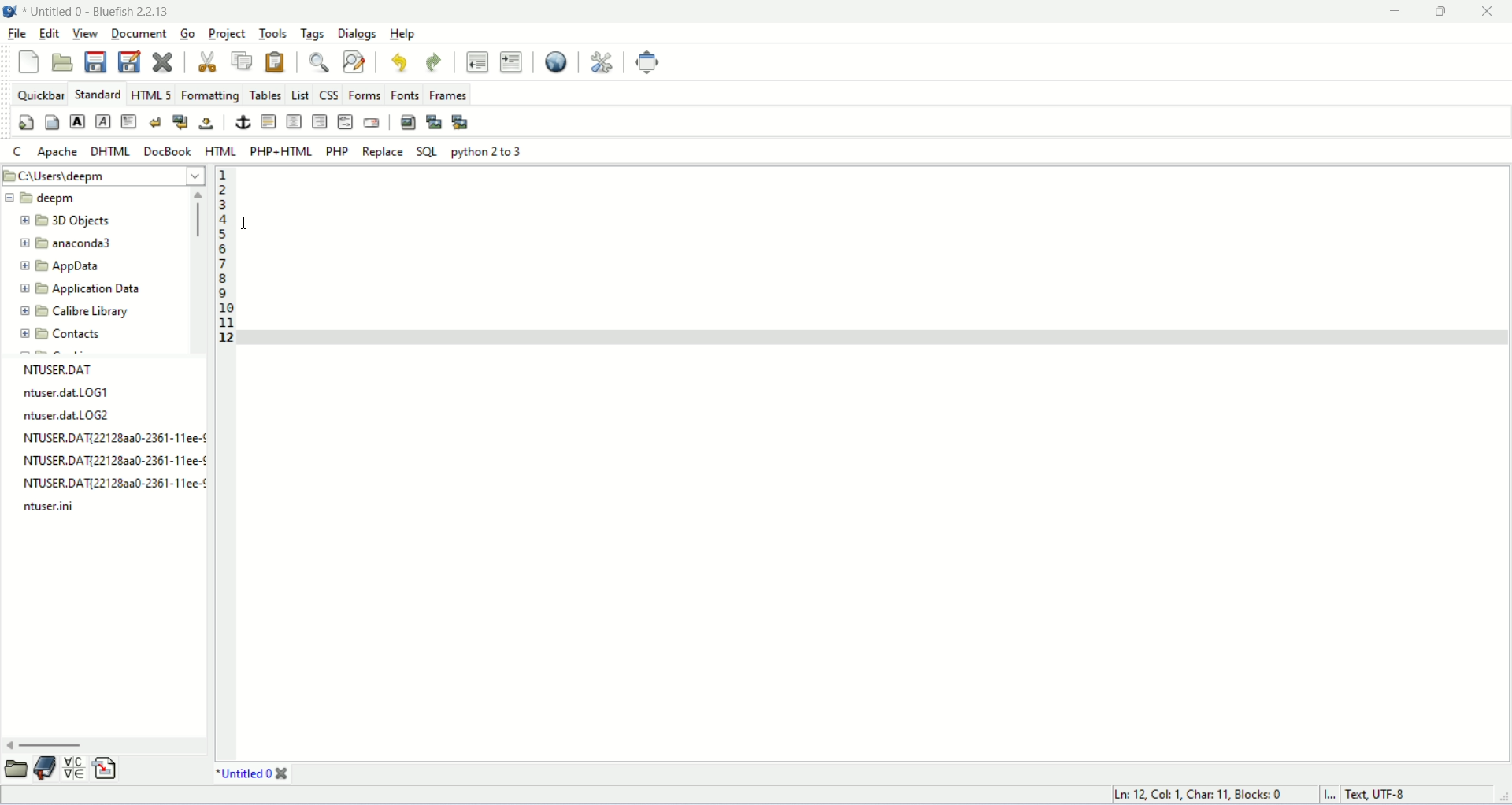  I want to click on apache, so click(58, 152).